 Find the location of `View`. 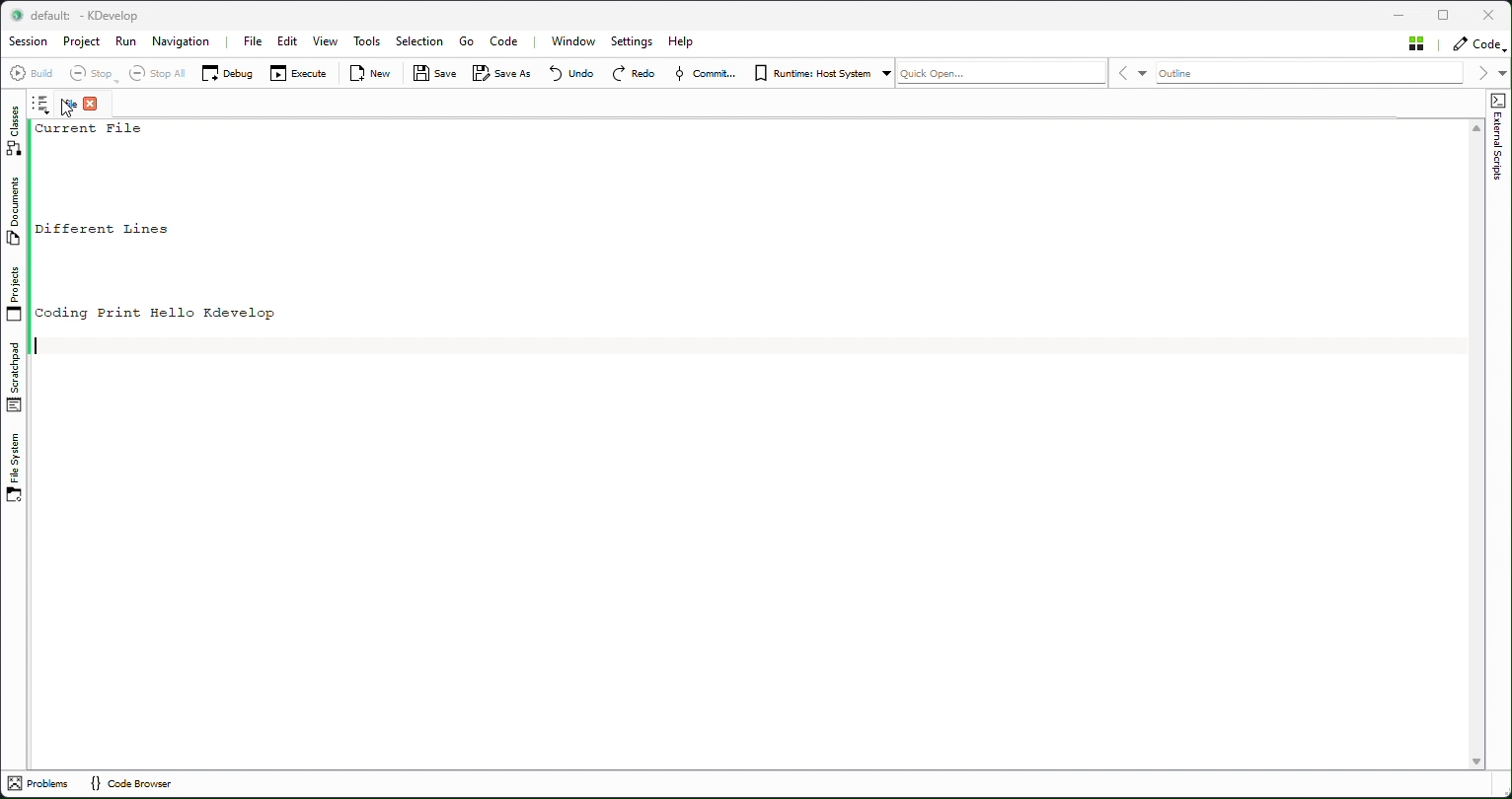

View is located at coordinates (327, 42).